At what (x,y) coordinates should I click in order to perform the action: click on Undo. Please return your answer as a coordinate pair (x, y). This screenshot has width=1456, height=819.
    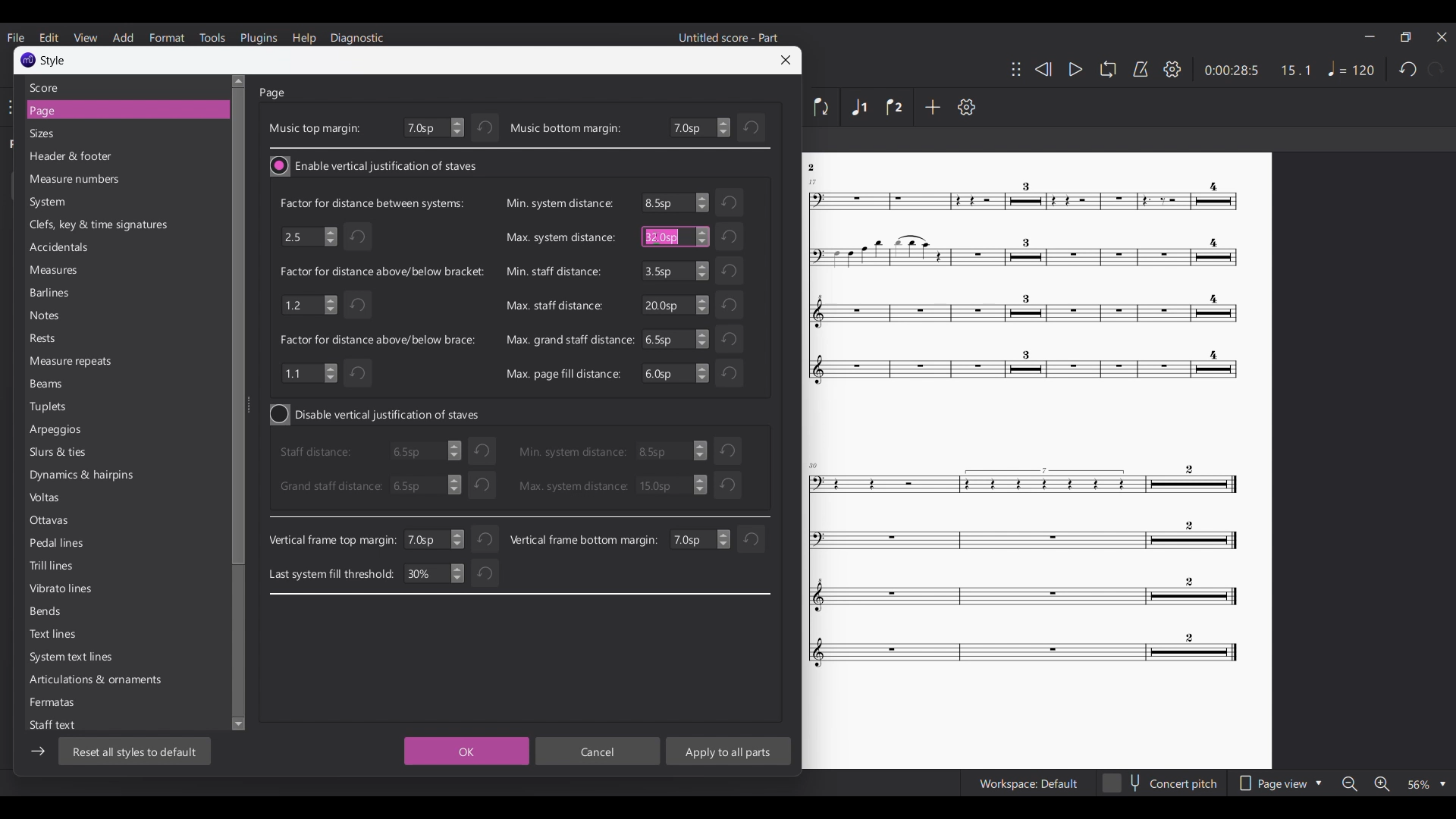
    Looking at the image, I should click on (486, 536).